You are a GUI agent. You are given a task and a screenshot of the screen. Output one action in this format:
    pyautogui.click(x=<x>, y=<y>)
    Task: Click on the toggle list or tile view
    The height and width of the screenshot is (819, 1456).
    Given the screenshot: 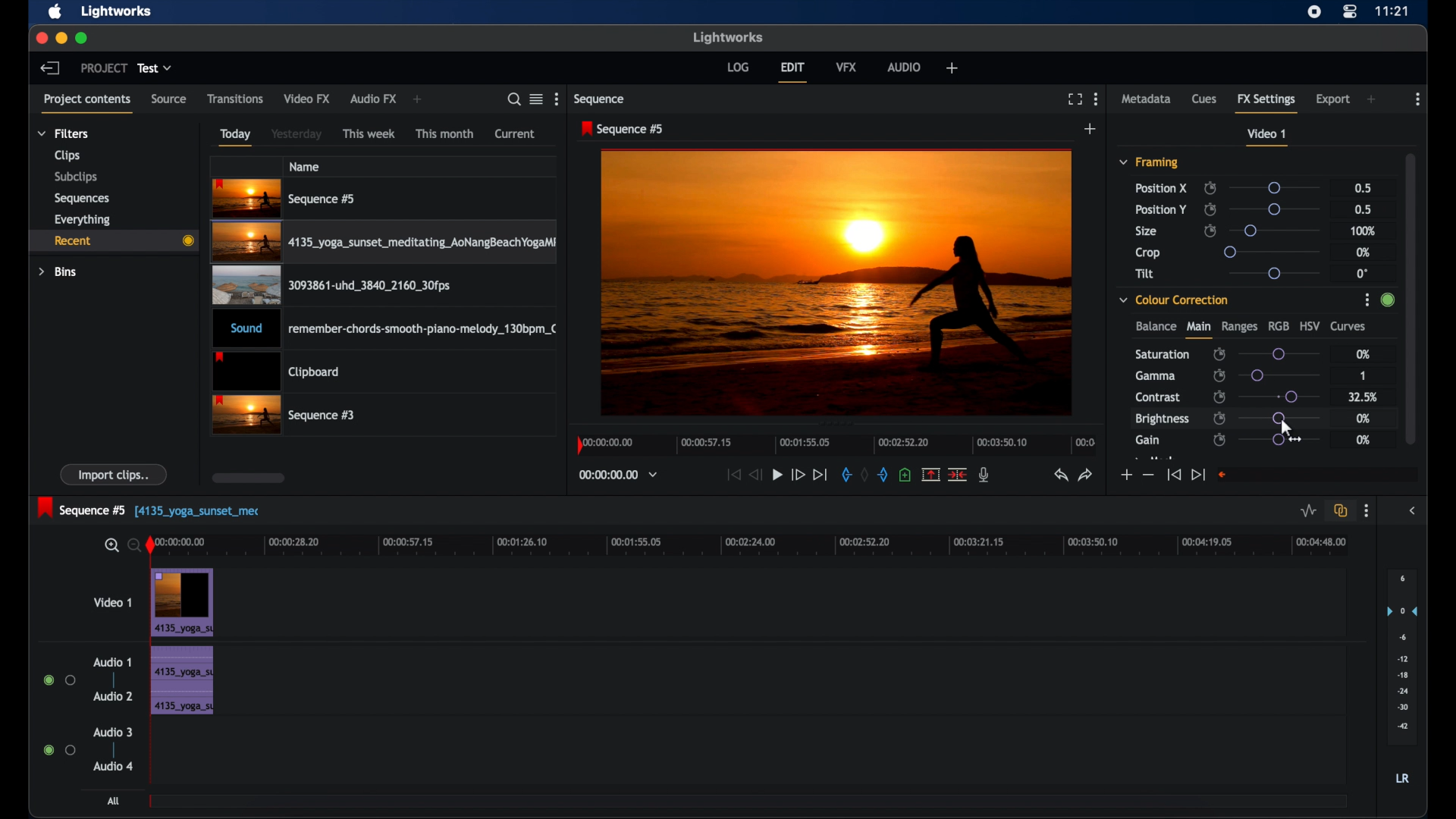 What is the action you would take?
    pyautogui.click(x=536, y=99)
    